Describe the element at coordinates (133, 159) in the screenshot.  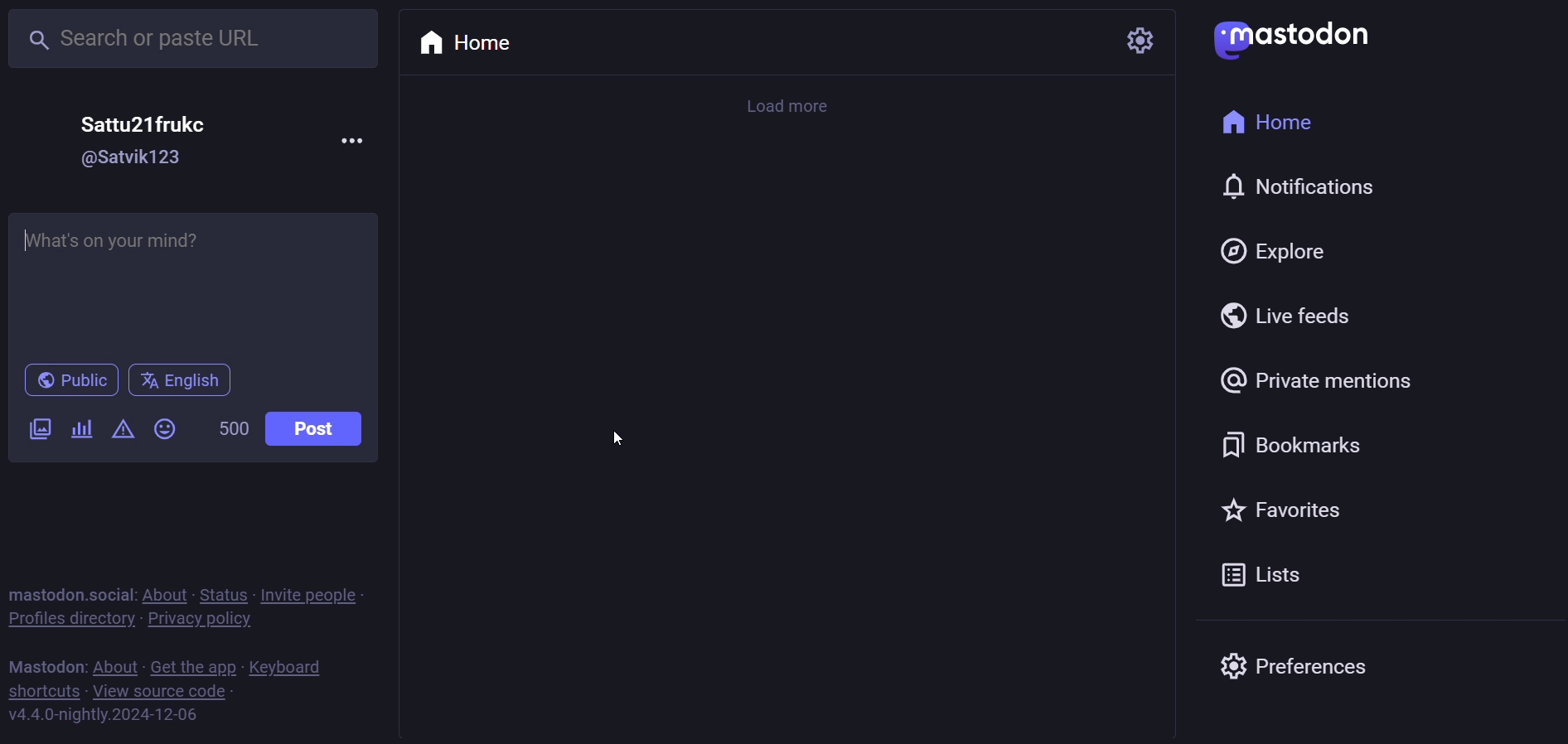
I see `id` at that location.